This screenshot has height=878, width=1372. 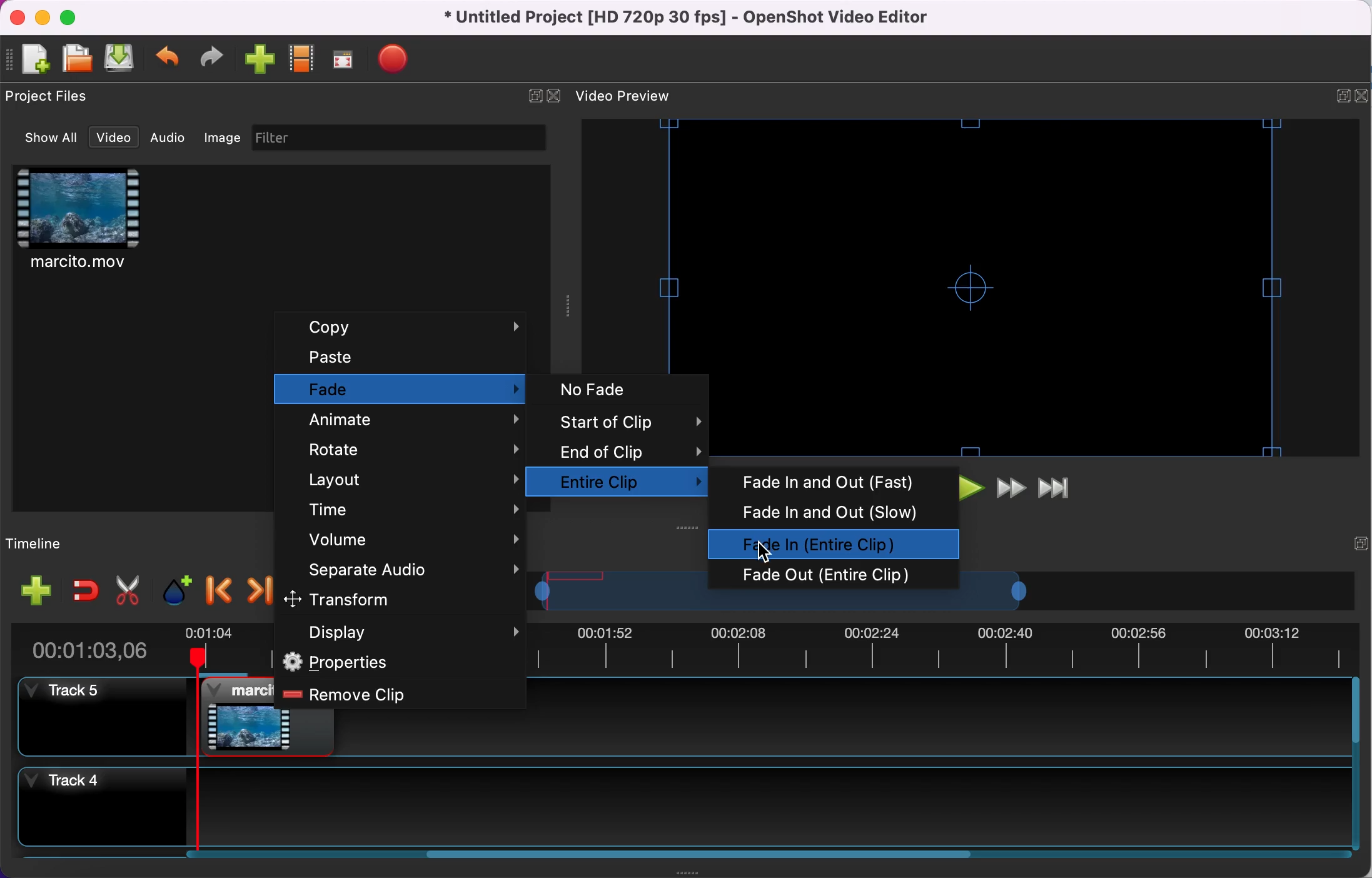 What do you see at coordinates (837, 575) in the screenshot?
I see `fade out (entire clip)` at bounding box center [837, 575].